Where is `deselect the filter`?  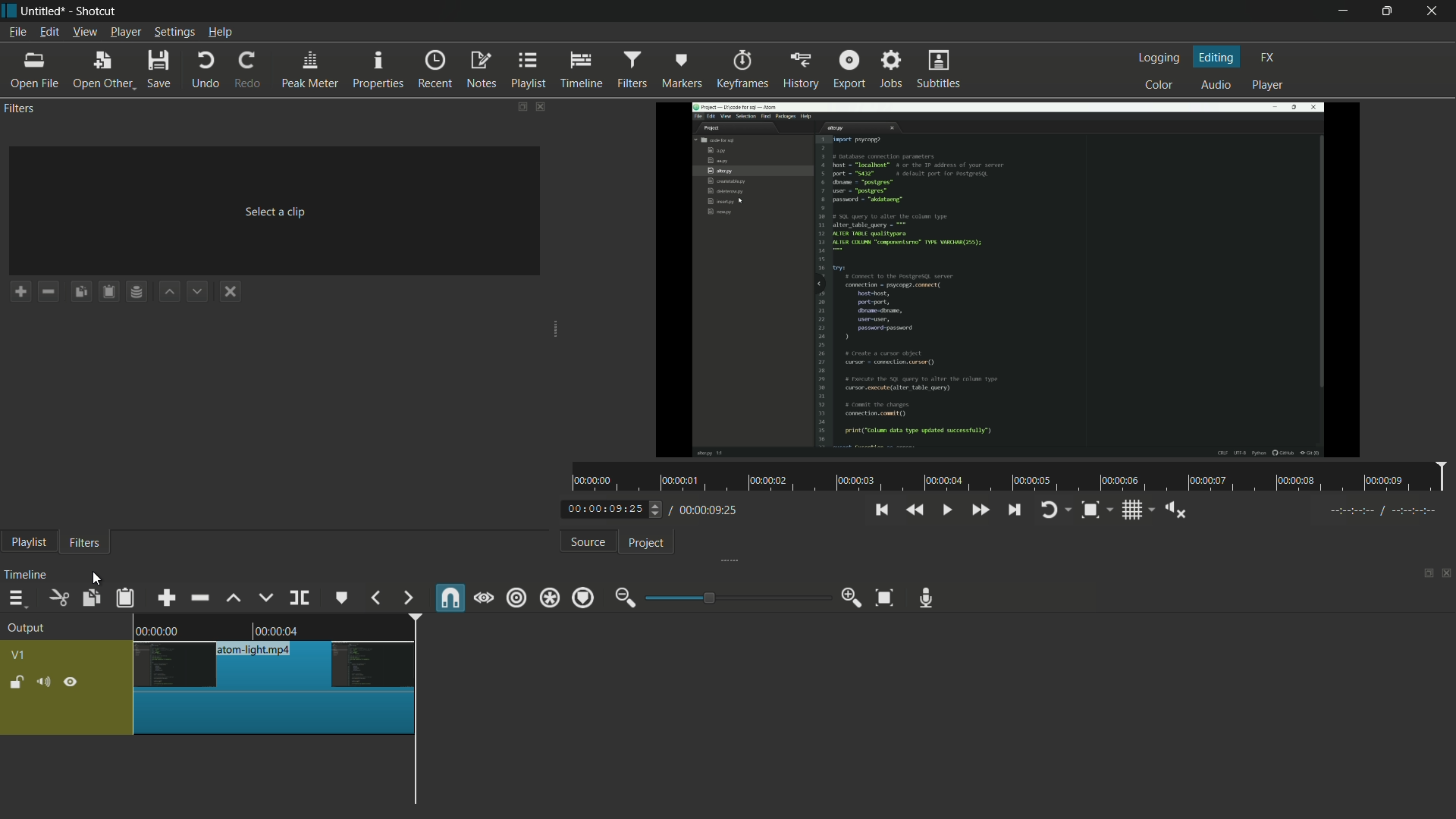
deselect the filter is located at coordinates (234, 292).